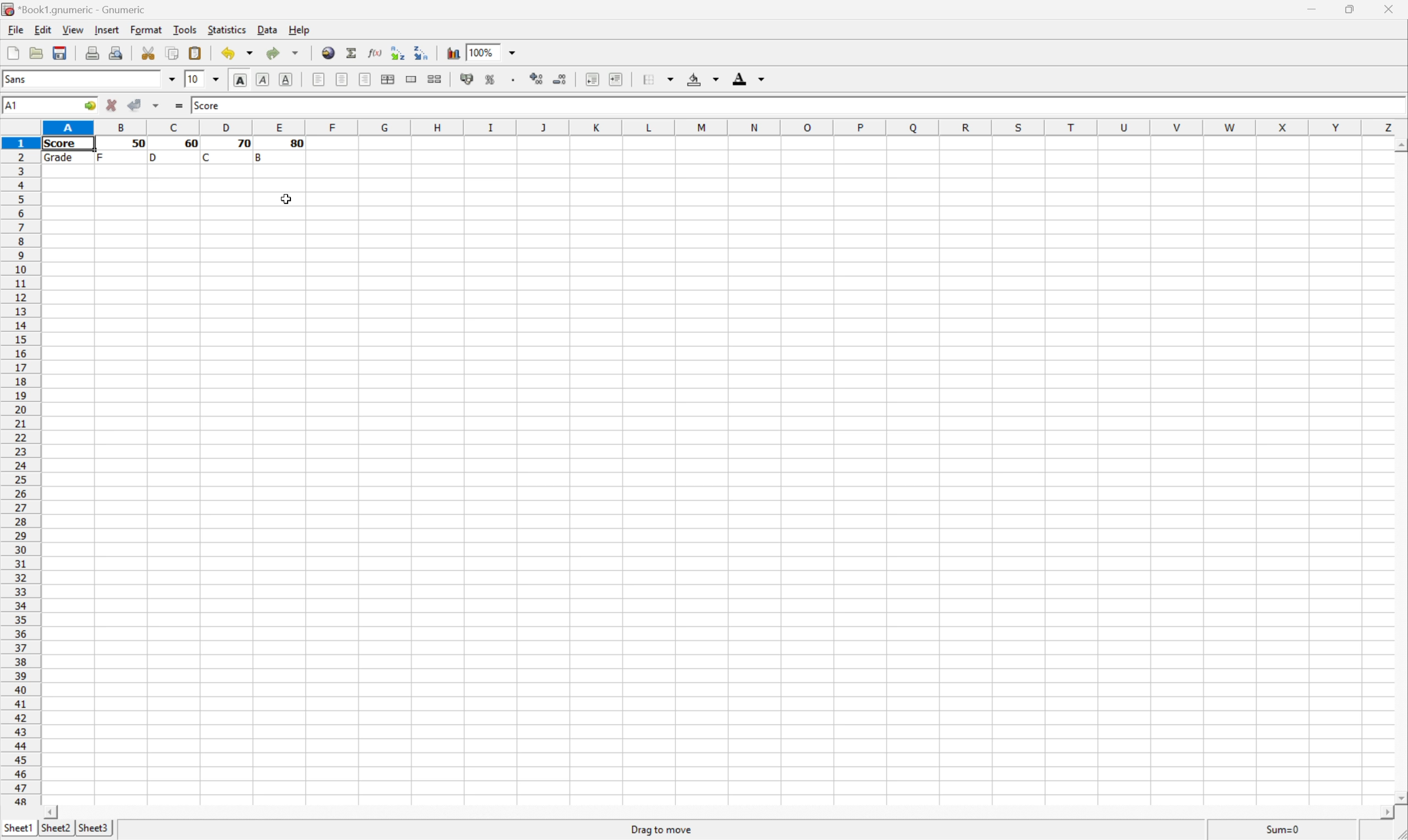 This screenshot has width=1408, height=840. I want to click on Sum=0, so click(1286, 830).